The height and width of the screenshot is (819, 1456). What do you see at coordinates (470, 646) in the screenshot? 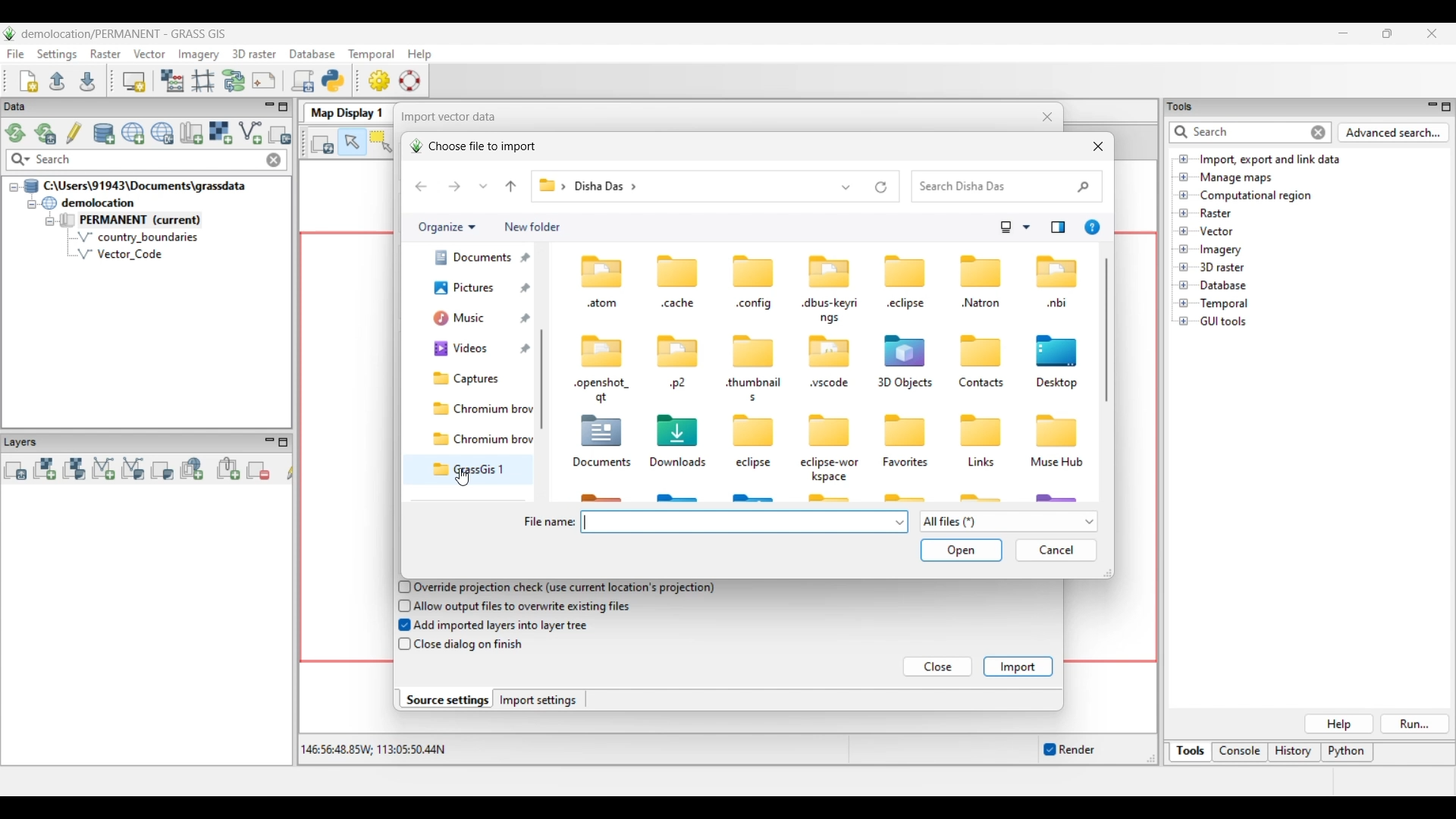
I see `Close dialog on finish` at bounding box center [470, 646].